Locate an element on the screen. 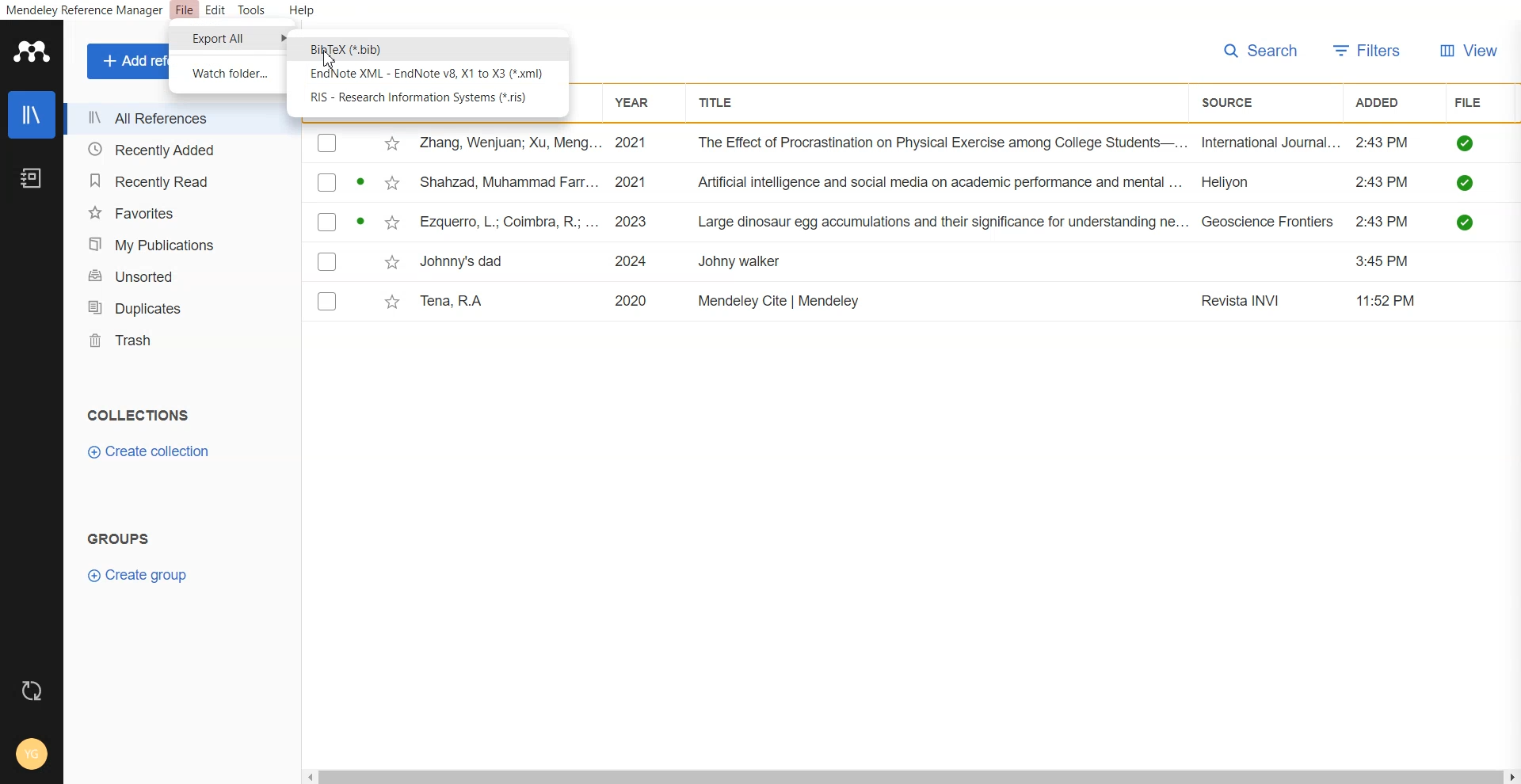  2024 is located at coordinates (634, 261).